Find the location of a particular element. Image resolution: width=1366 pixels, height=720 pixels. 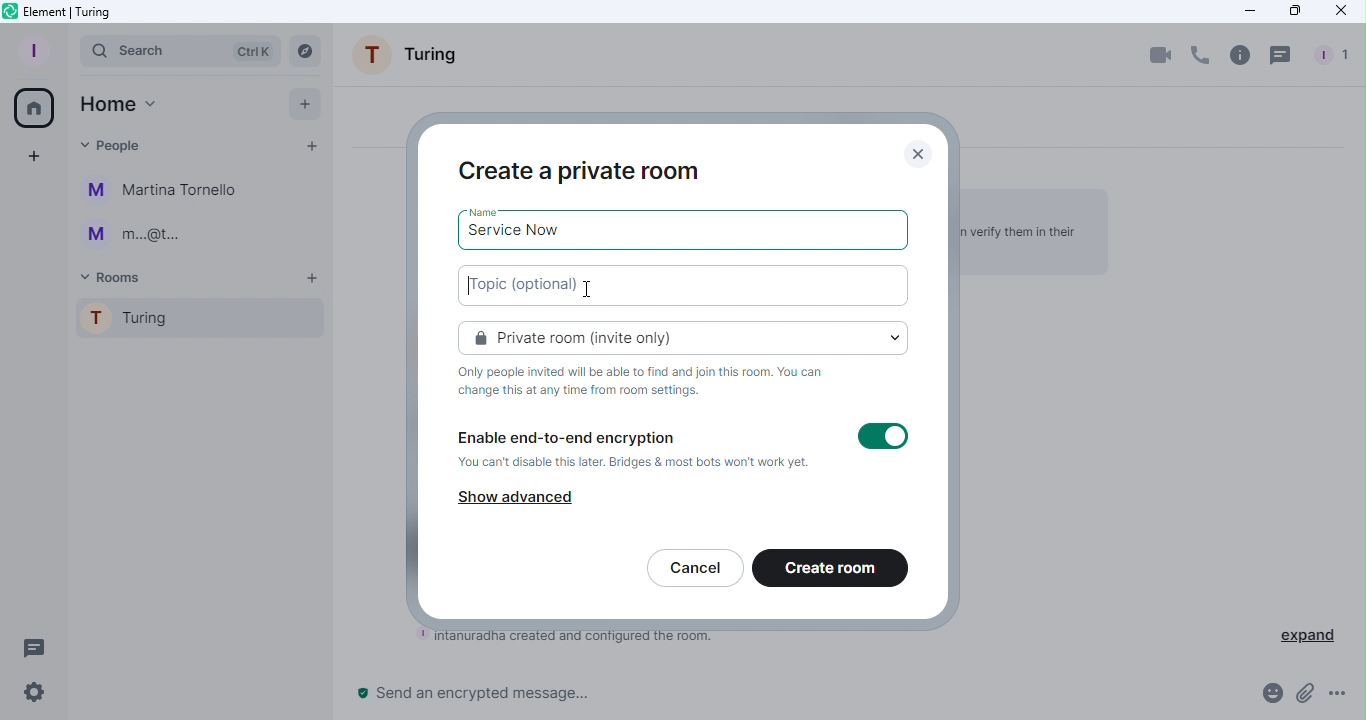

Turing is located at coordinates (193, 322).